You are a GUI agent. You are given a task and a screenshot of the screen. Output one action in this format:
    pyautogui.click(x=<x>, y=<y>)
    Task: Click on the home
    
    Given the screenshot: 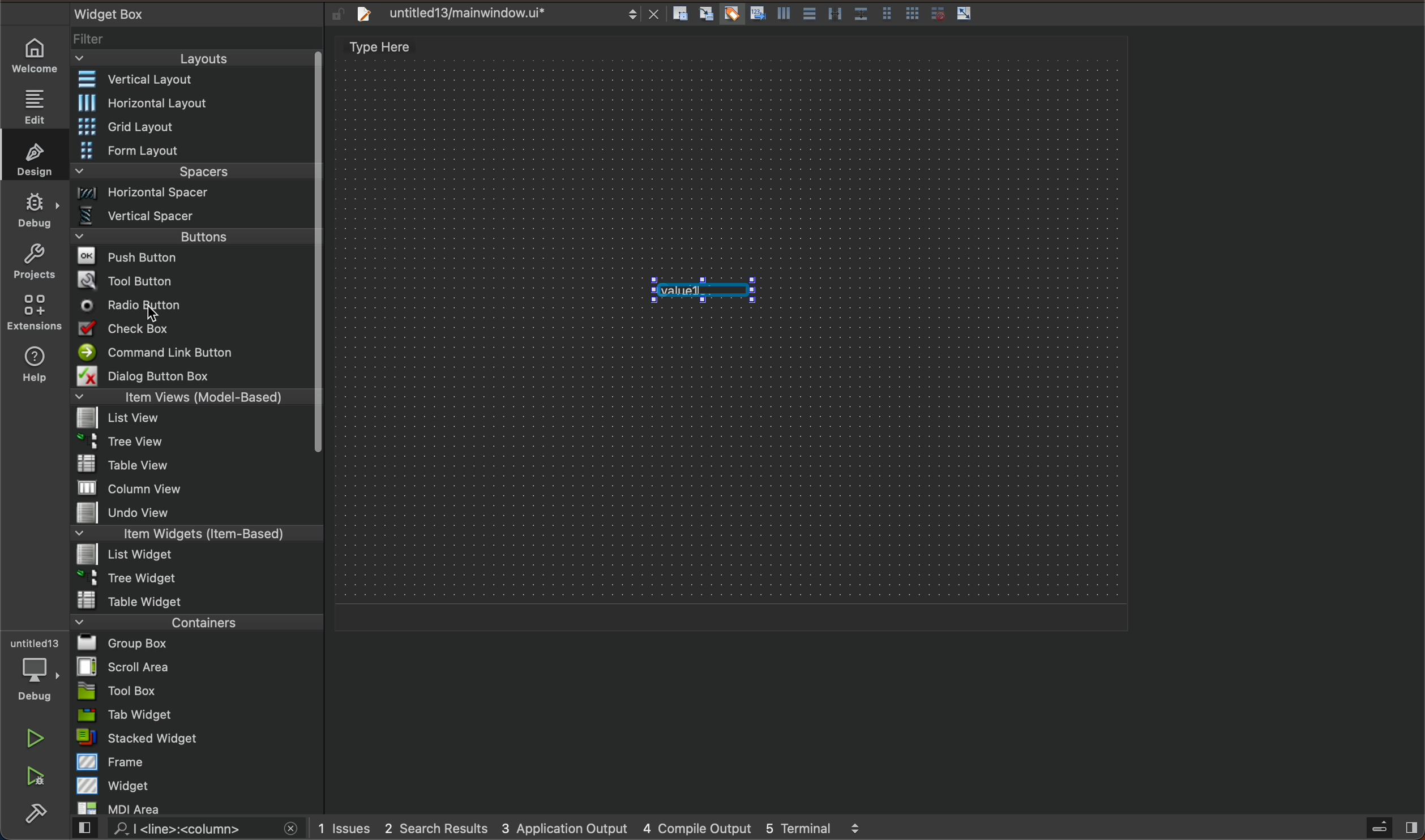 What is the action you would take?
    pyautogui.click(x=40, y=55)
    